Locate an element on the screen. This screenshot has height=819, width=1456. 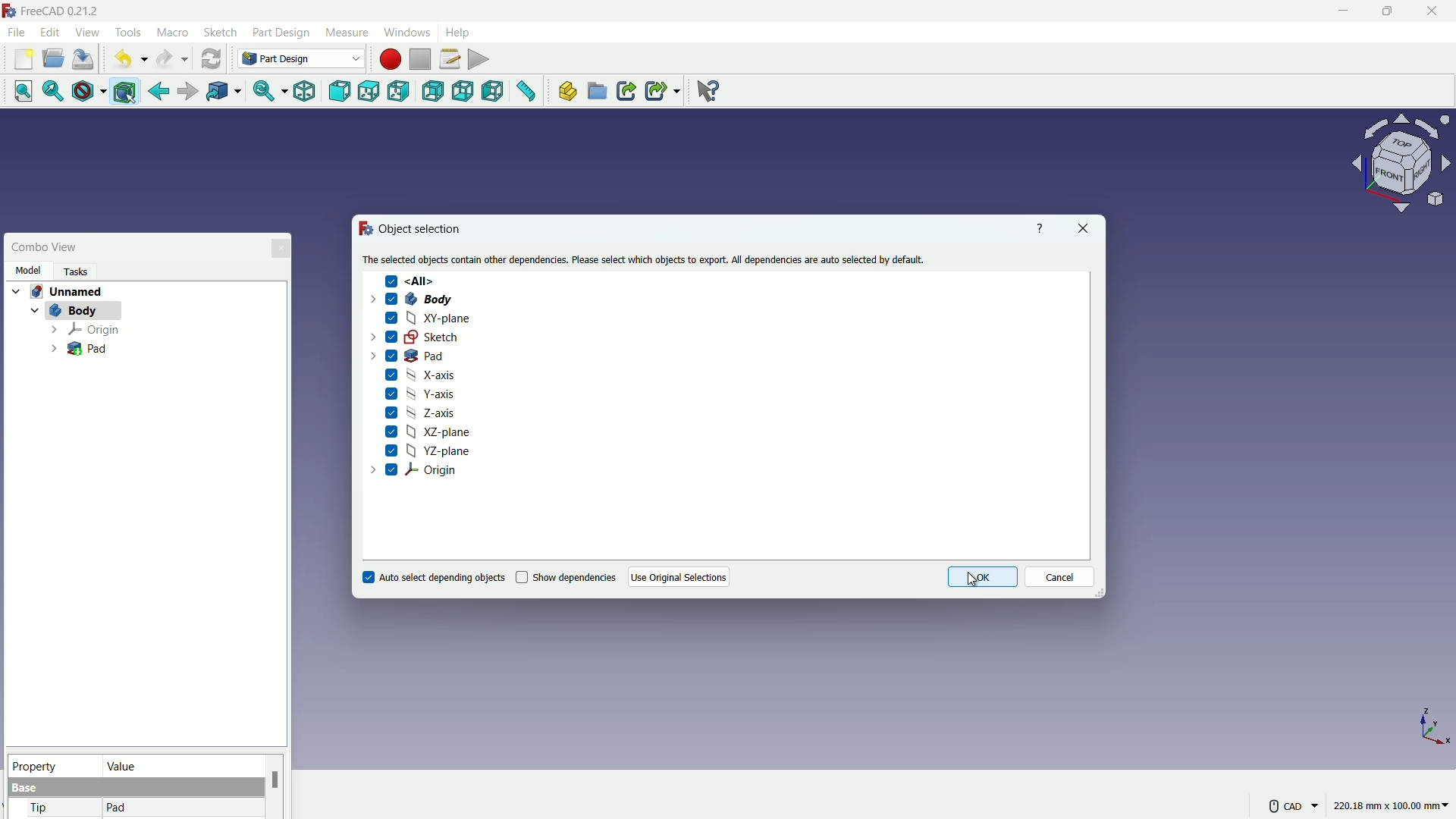
dropdown is located at coordinates (372, 337).